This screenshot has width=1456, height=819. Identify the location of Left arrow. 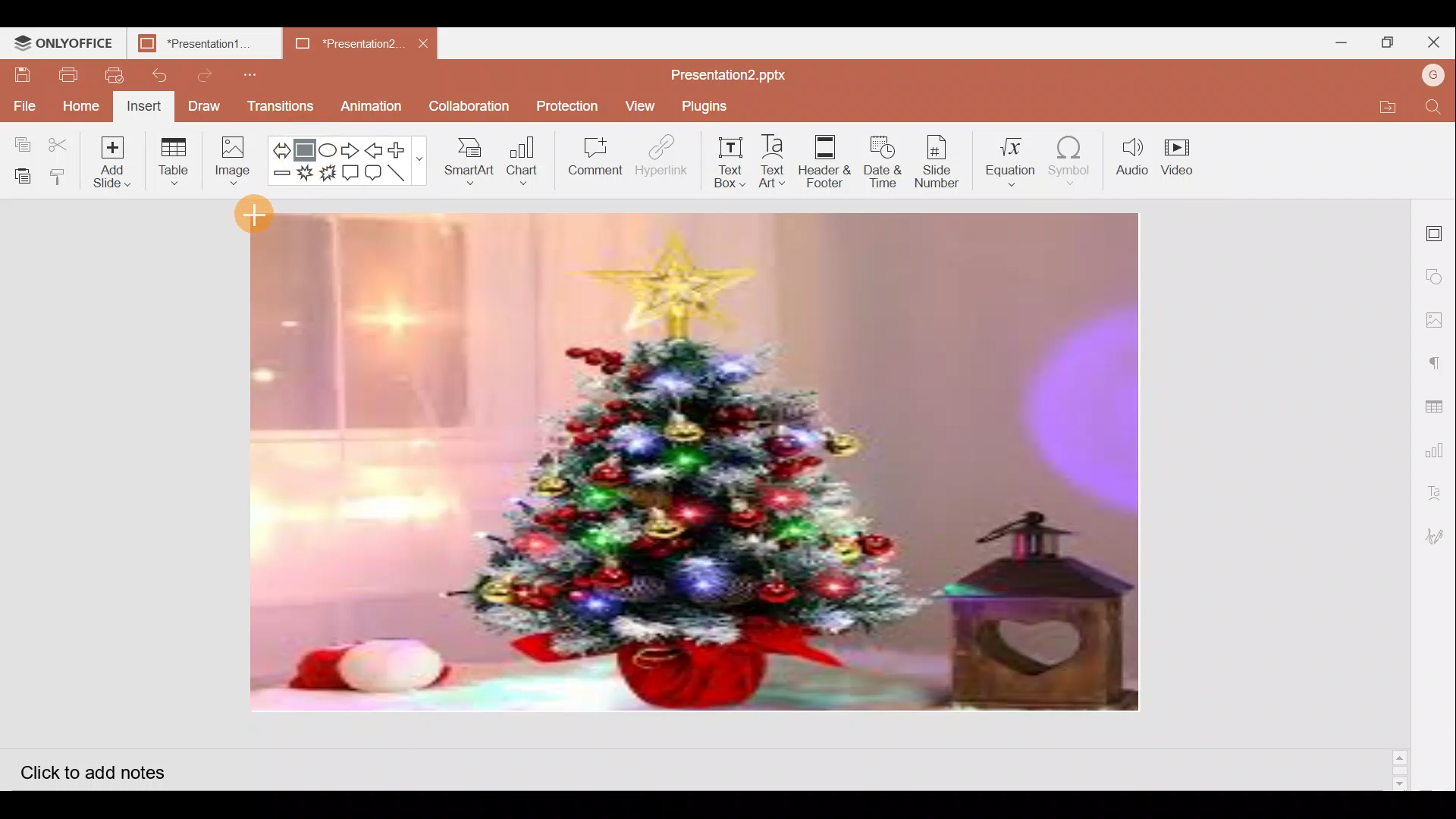
(374, 149).